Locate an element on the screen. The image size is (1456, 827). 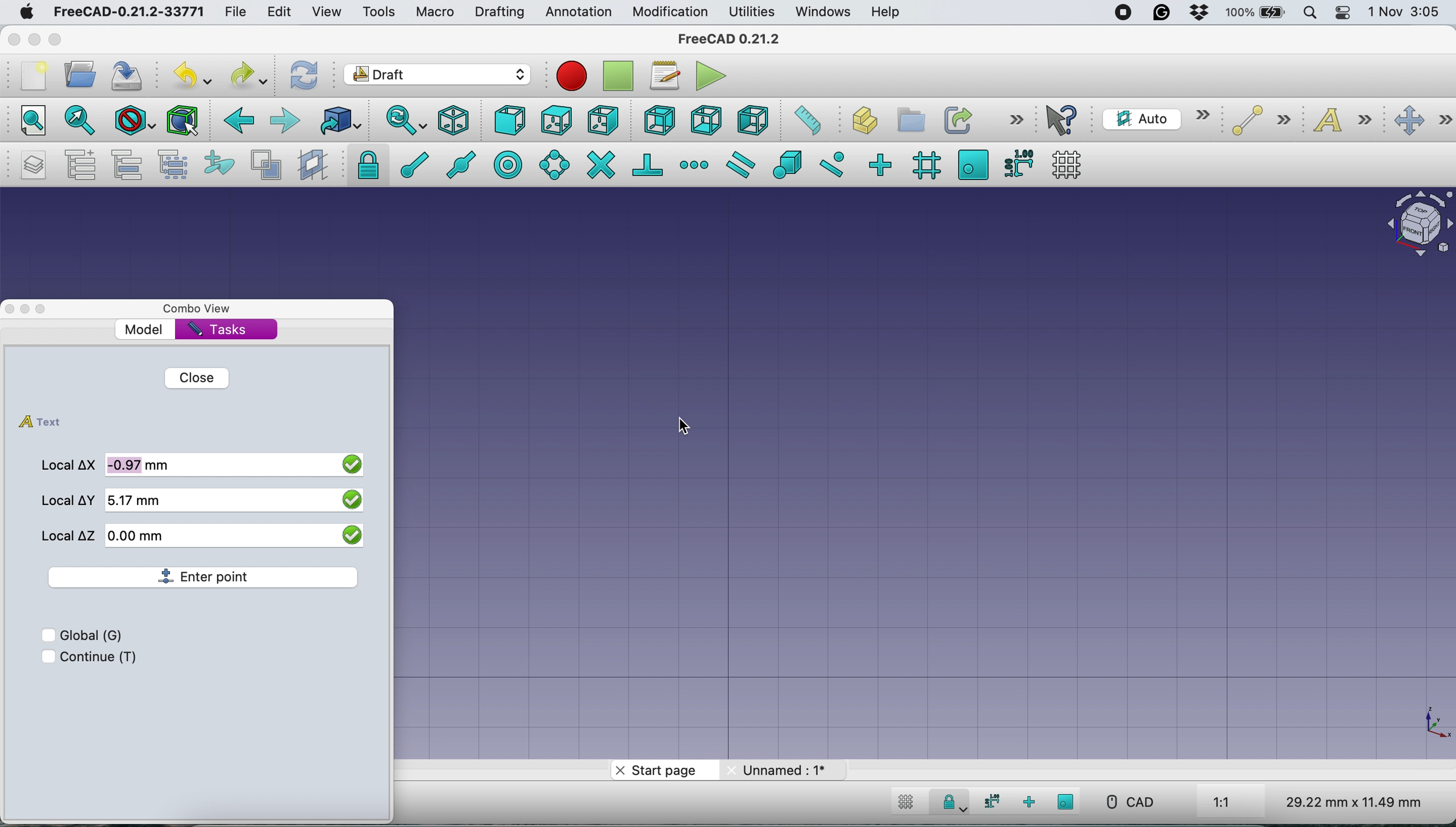
snap center is located at coordinates (506, 168).